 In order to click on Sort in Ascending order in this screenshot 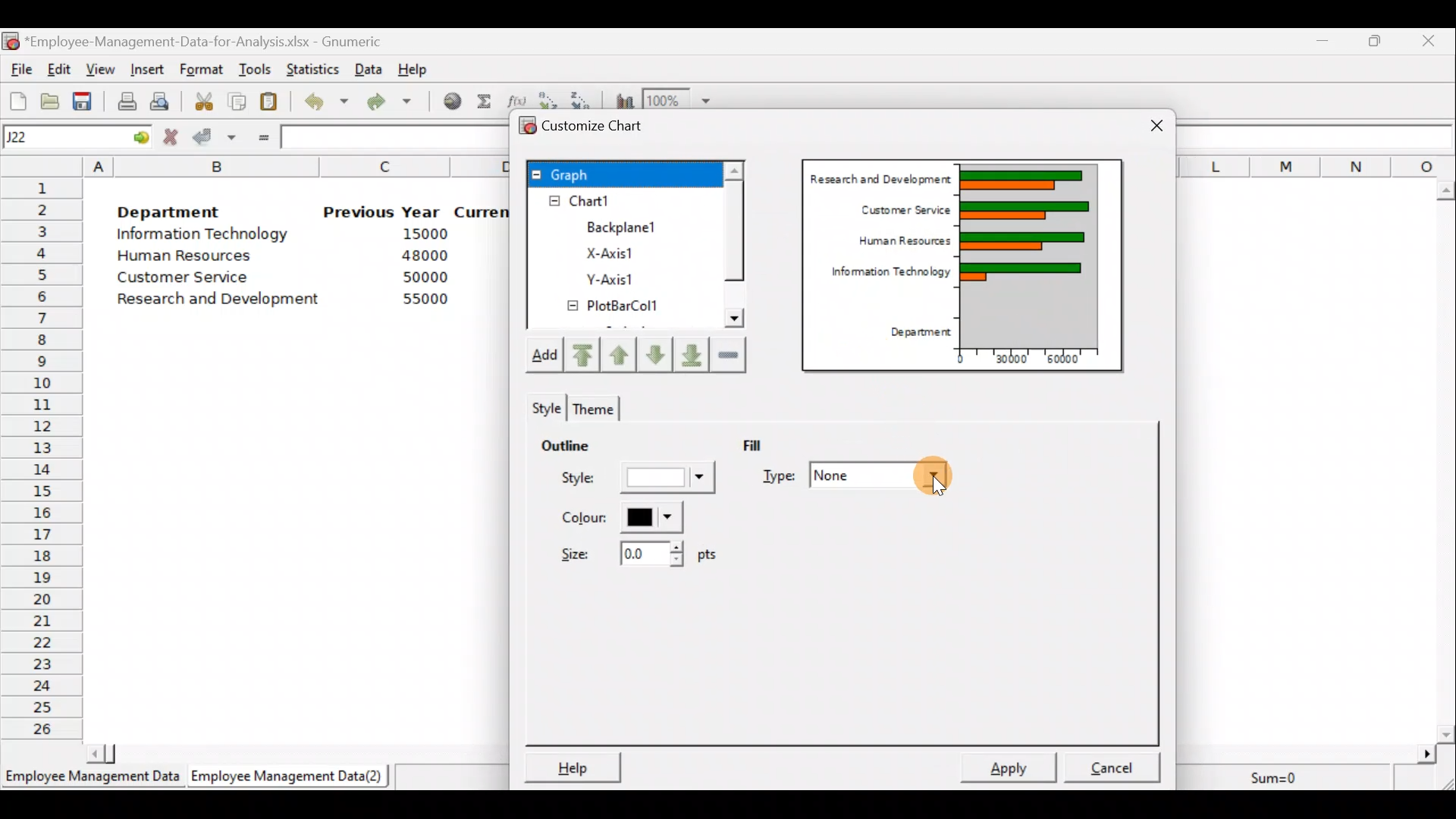, I will do `click(549, 98)`.